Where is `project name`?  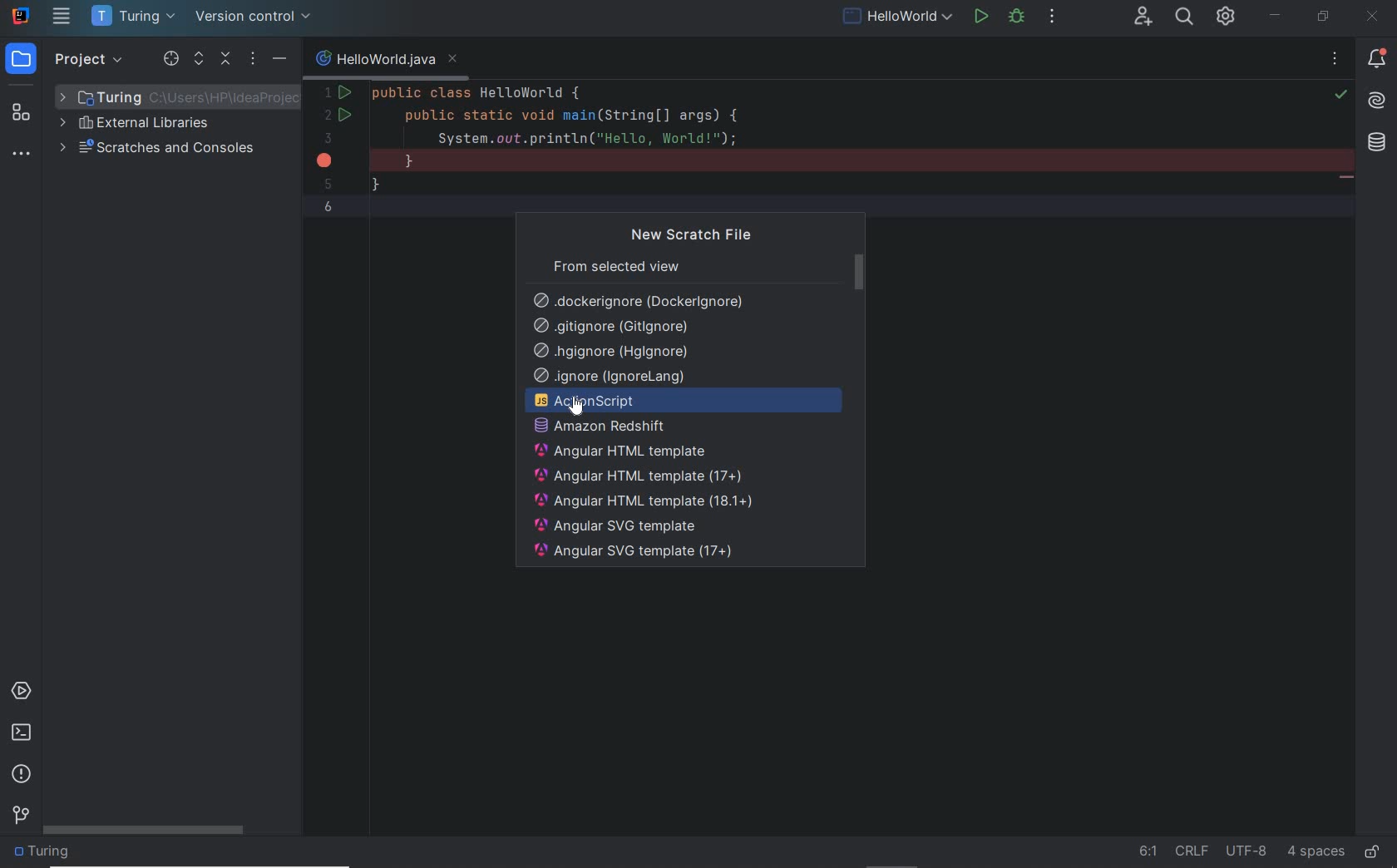
project name is located at coordinates (46, 854).